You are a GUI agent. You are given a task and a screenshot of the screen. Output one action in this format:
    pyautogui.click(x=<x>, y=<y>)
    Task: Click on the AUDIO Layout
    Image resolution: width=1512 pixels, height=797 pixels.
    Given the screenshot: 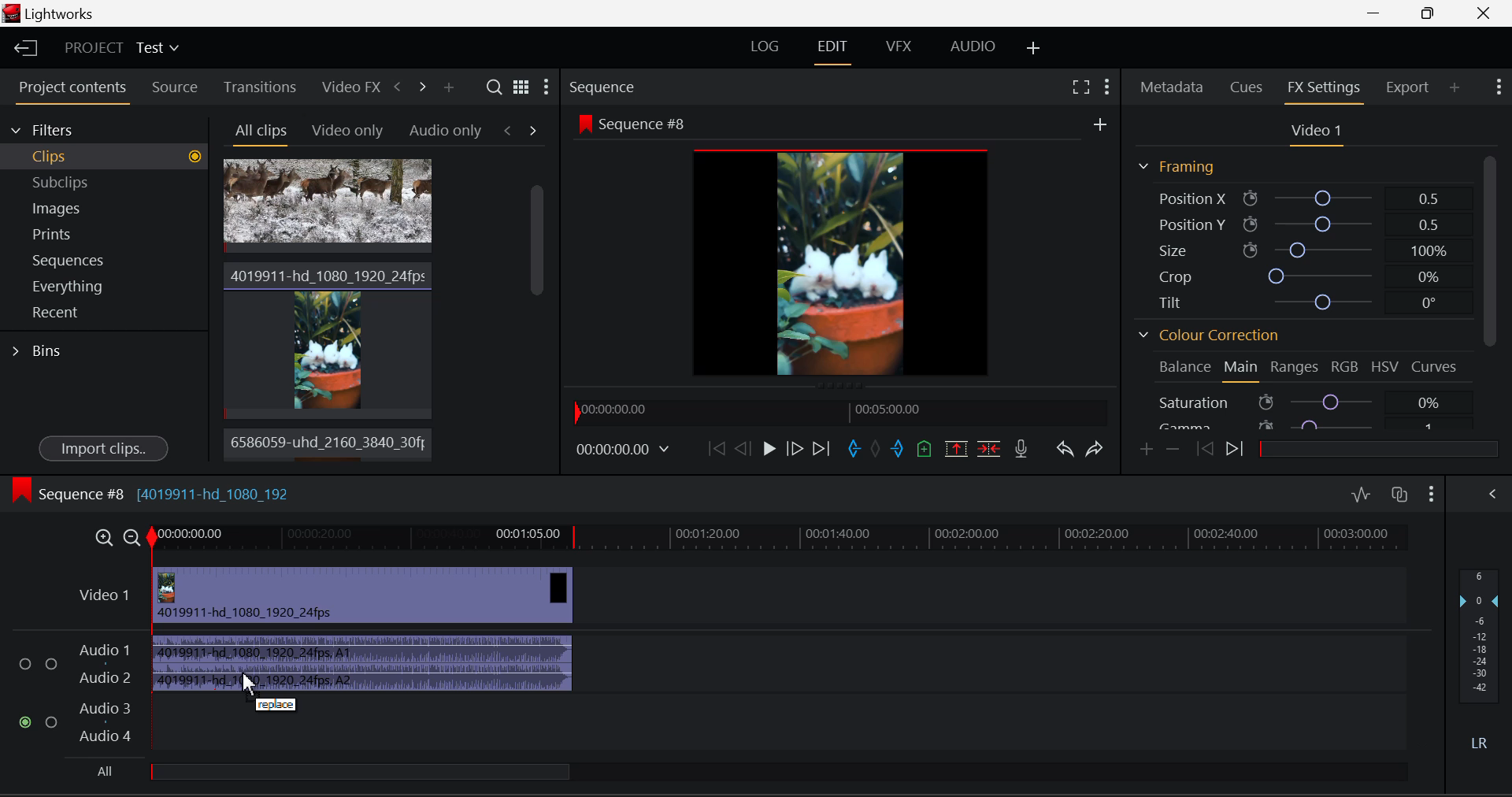 What is the action you would take?
    pyautogui.click(x=973, y=46)
    